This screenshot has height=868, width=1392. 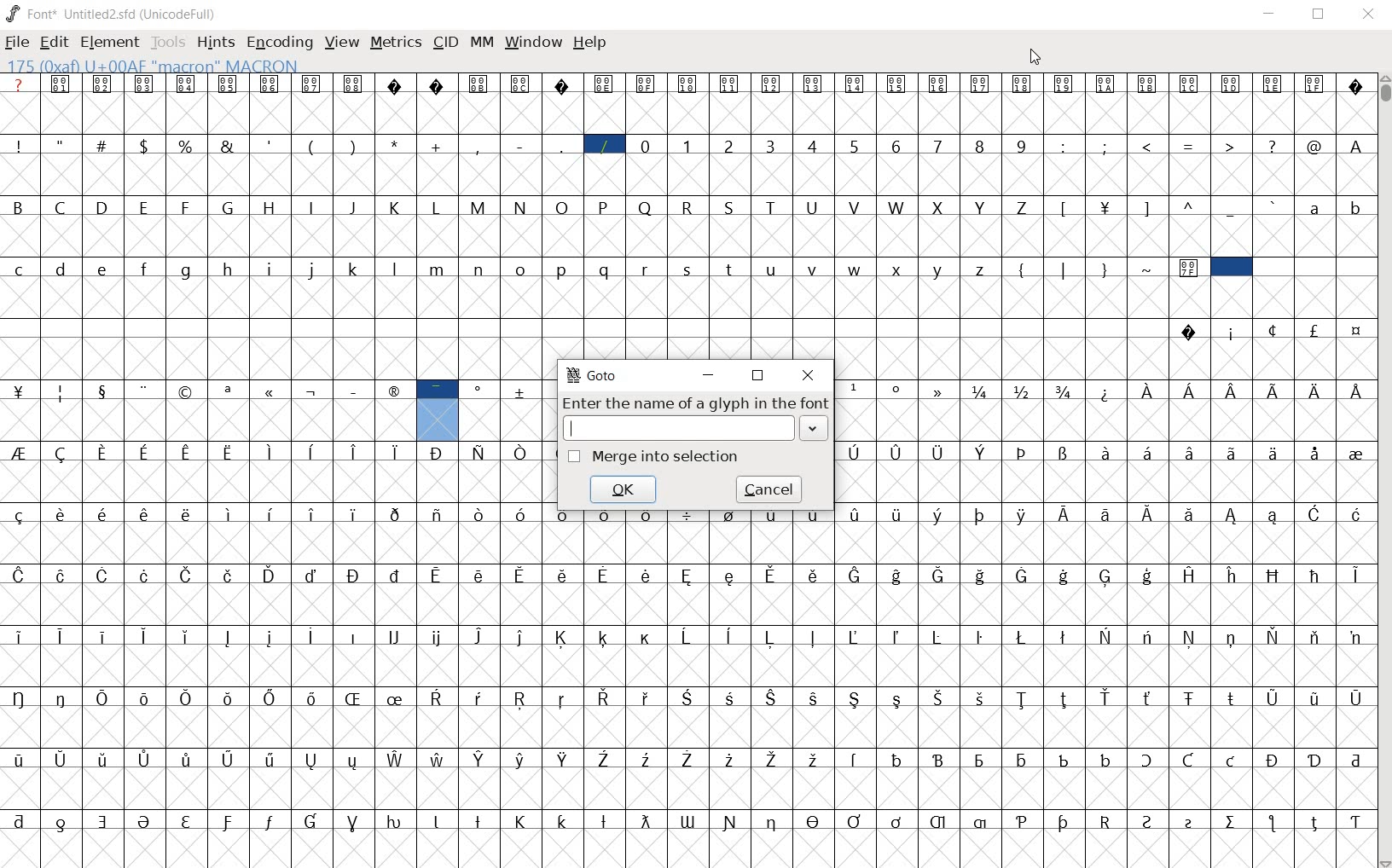 What do you see at coordinates (1270, 350) in the screenshot?
I see `special characters` at bounding box center [1270, 350].